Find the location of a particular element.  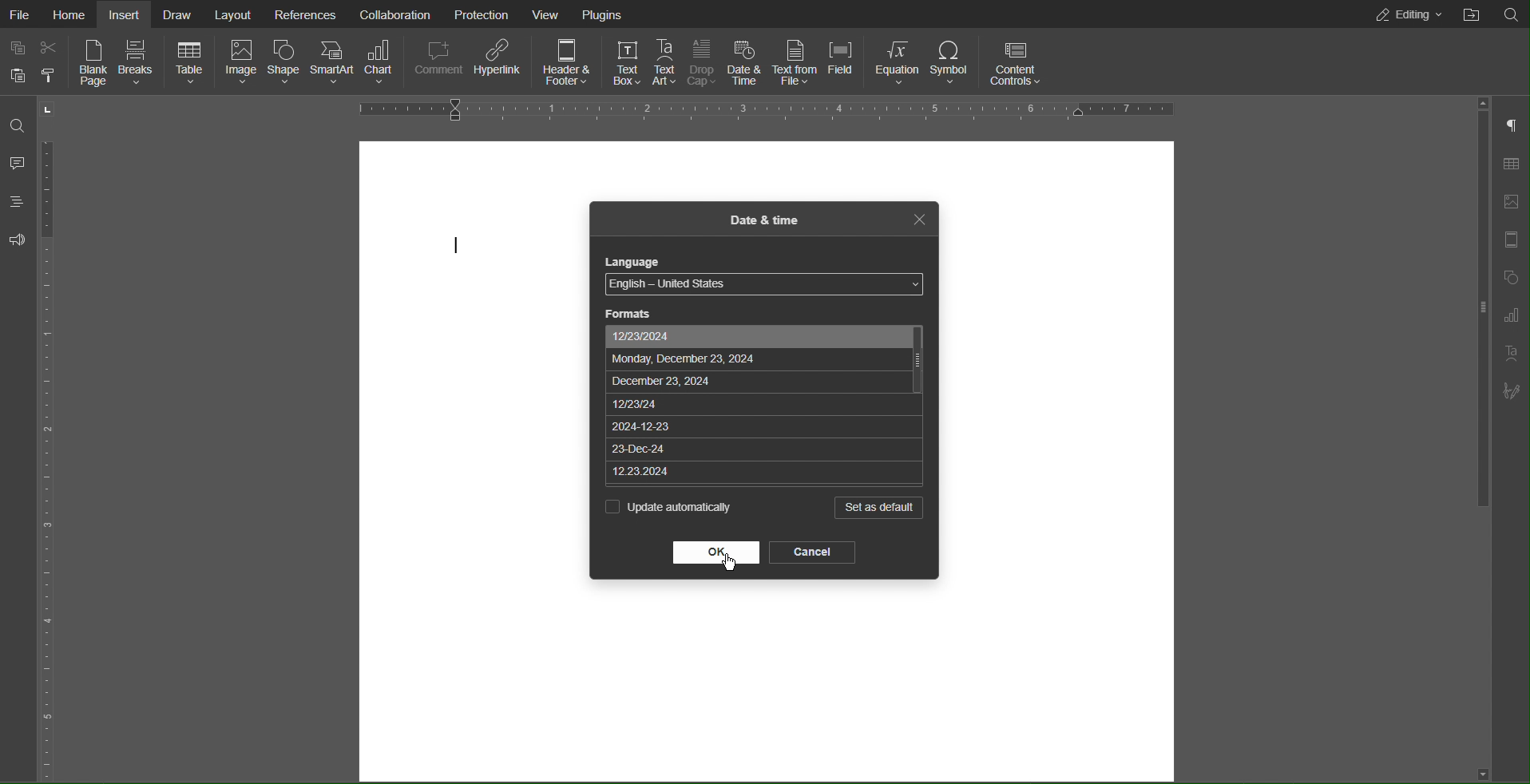

Symbol is located at coordinates (951, 62).